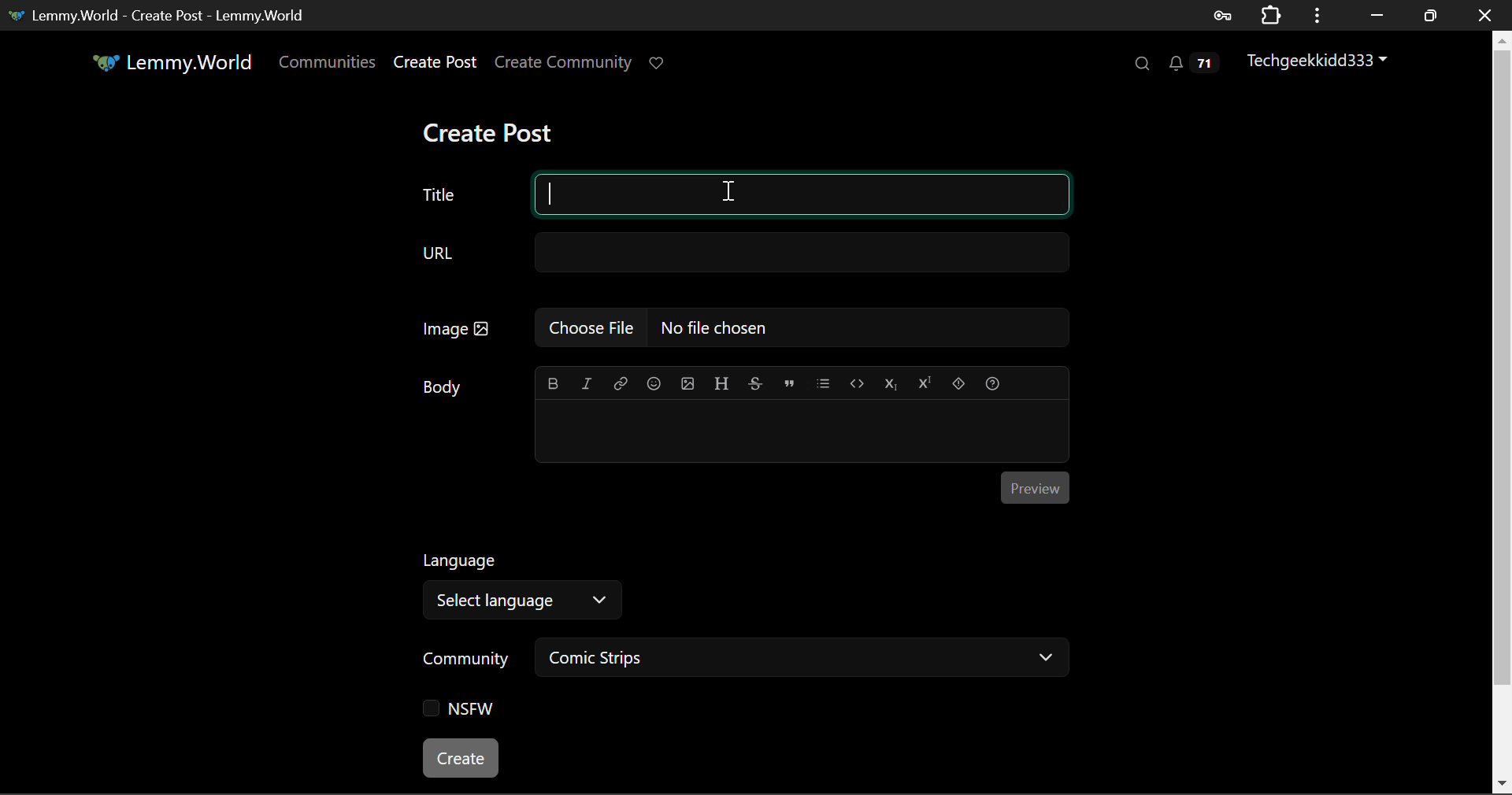 The image size is (1512, 795). What do you see at coordinates (823, 380) in the screenshot?
I see `list` at bounding box center [823, 380].